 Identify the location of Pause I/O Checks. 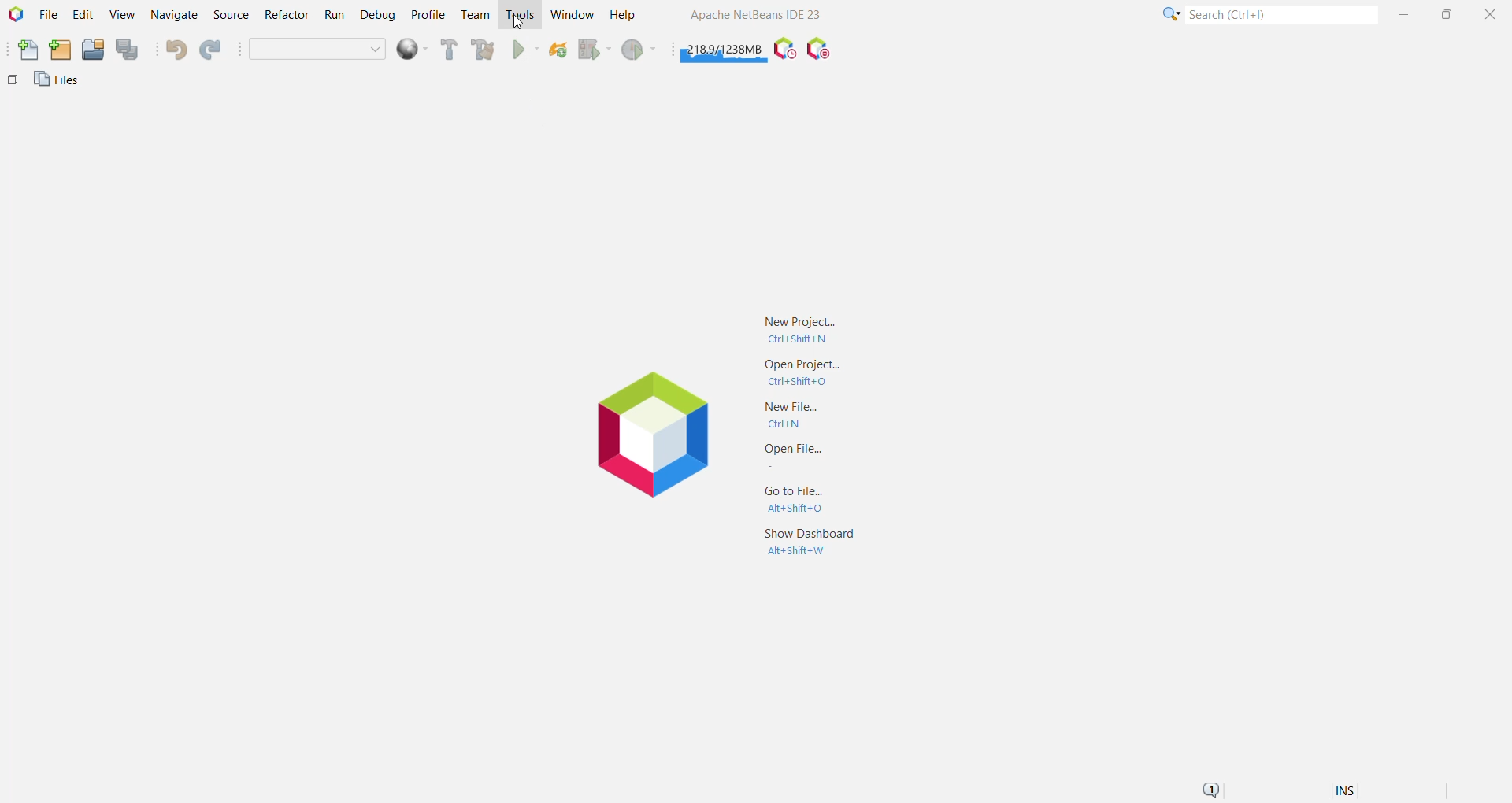
(820, 50).